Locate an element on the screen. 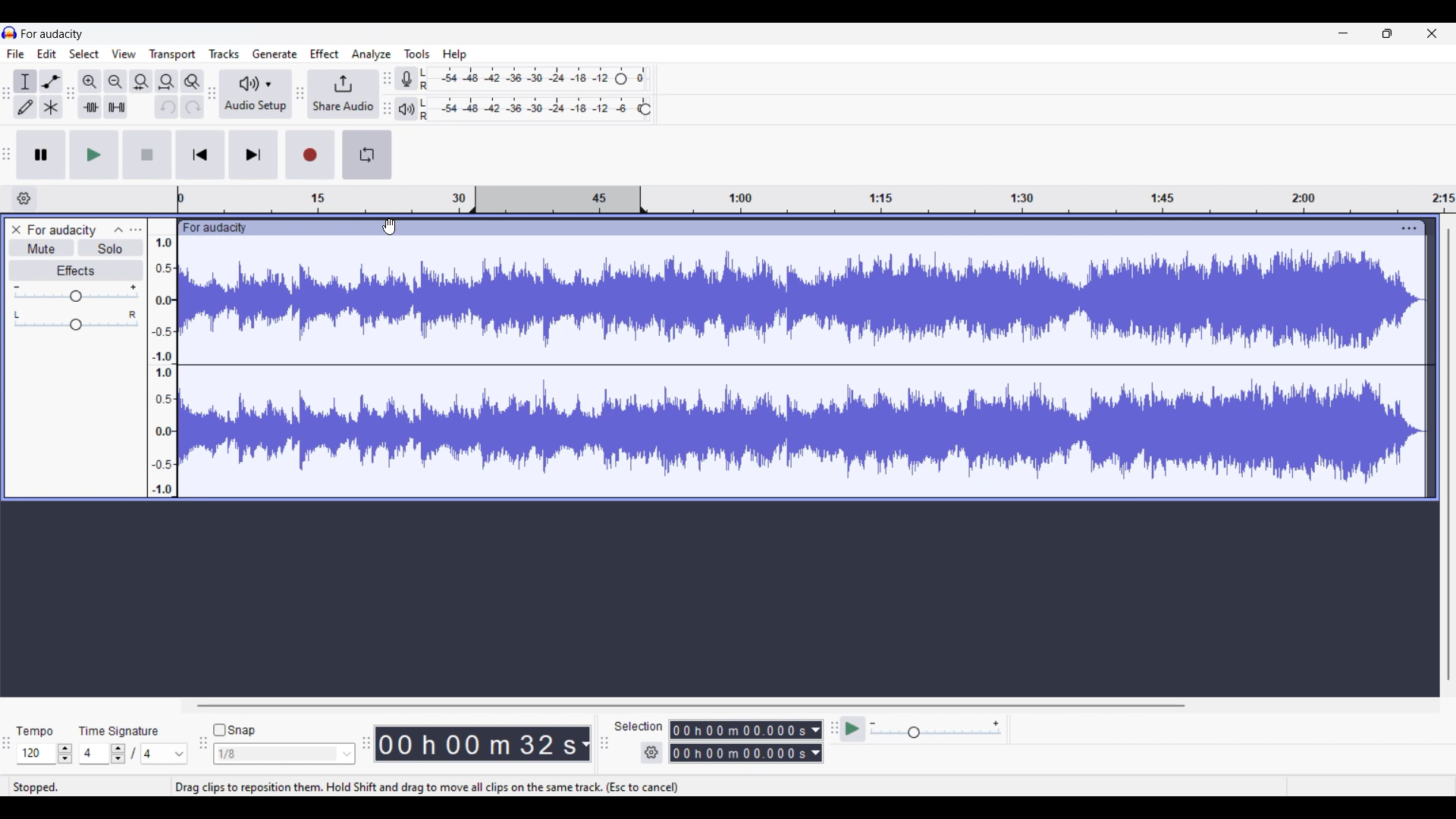  Zoom toggle is located at coordinates (193, 81).